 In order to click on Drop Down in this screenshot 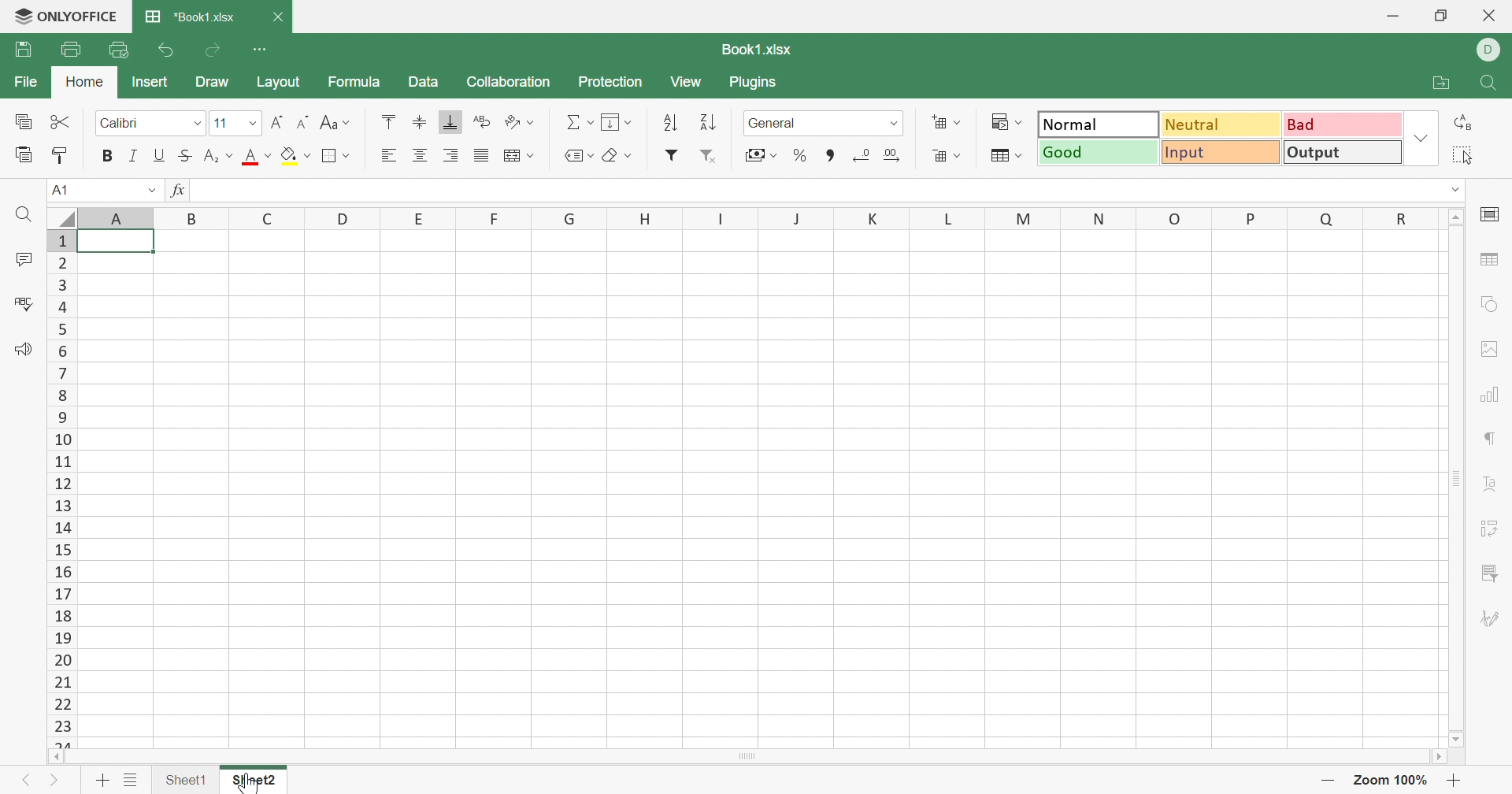, I will do `click(254, 124)`.